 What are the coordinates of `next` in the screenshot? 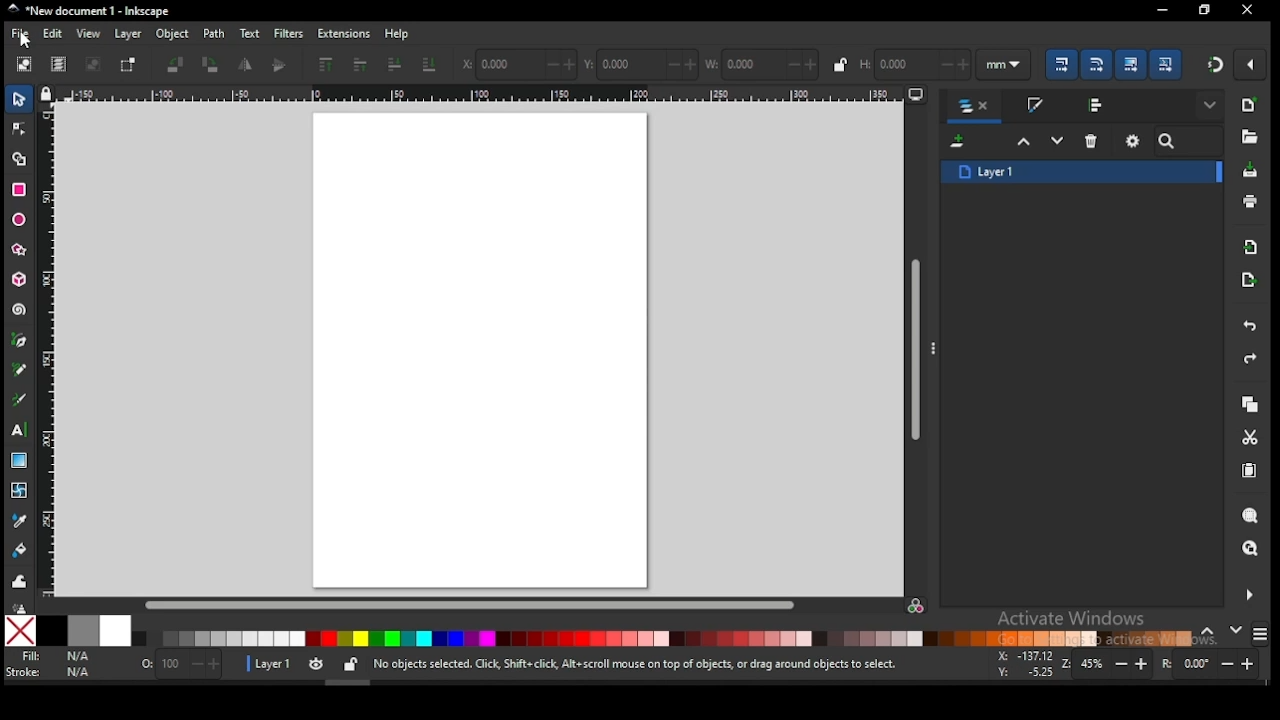 It's located at (1236, 630).